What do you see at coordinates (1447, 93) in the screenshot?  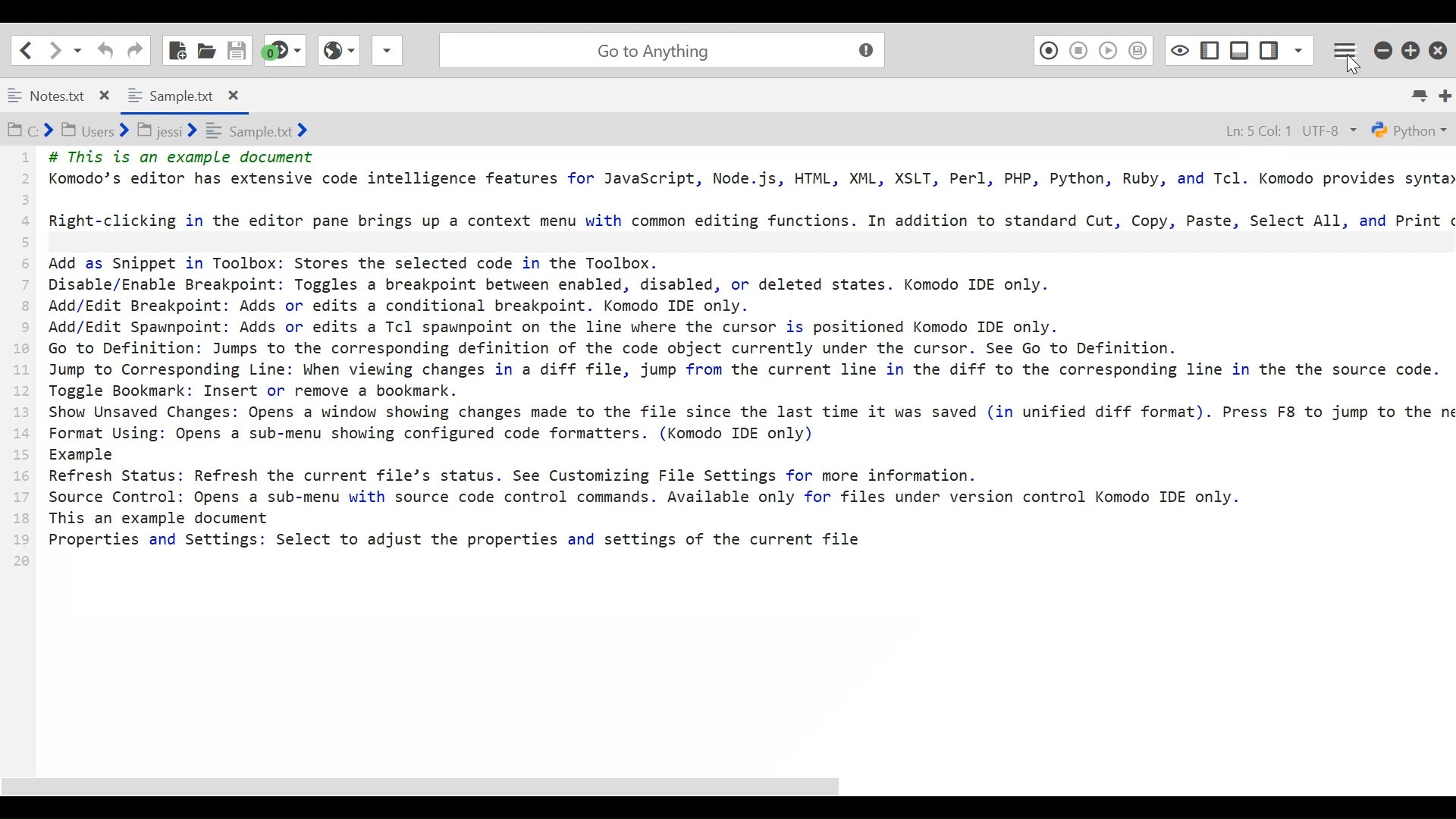 I see `Add new Tab` at bounding box center [1447, 93].